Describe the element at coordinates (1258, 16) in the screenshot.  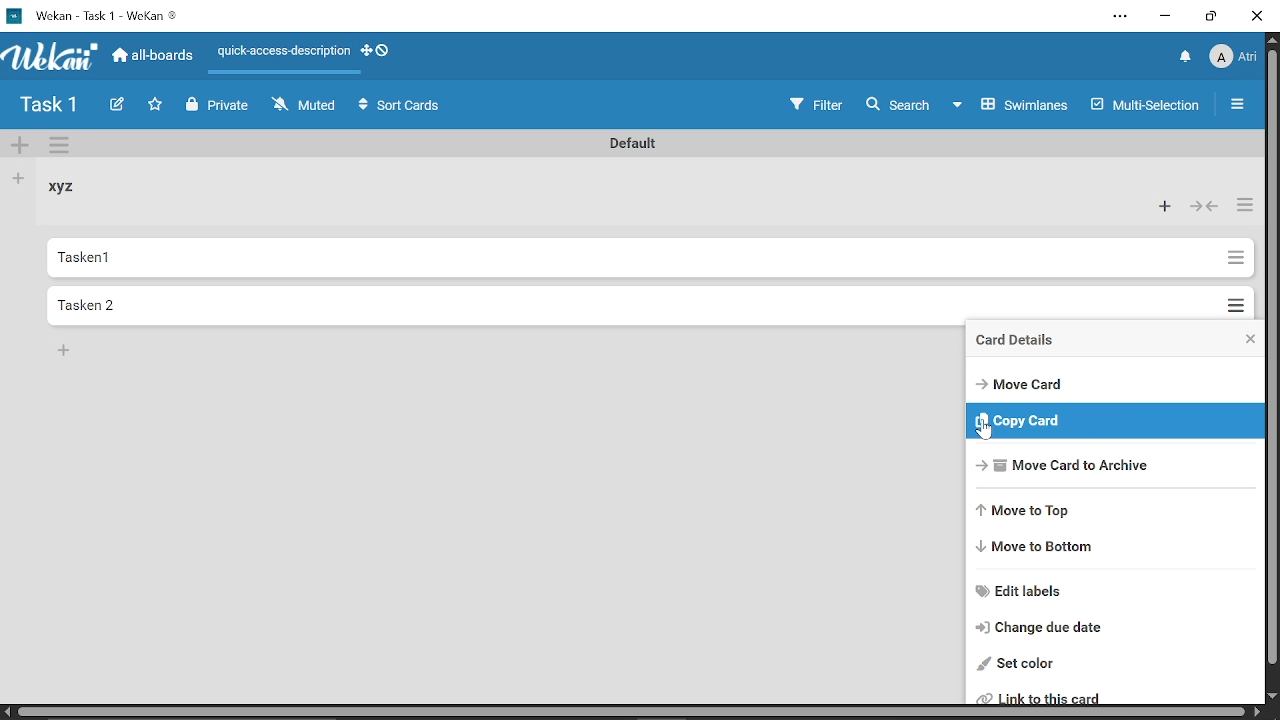
I see `Close` at that location.